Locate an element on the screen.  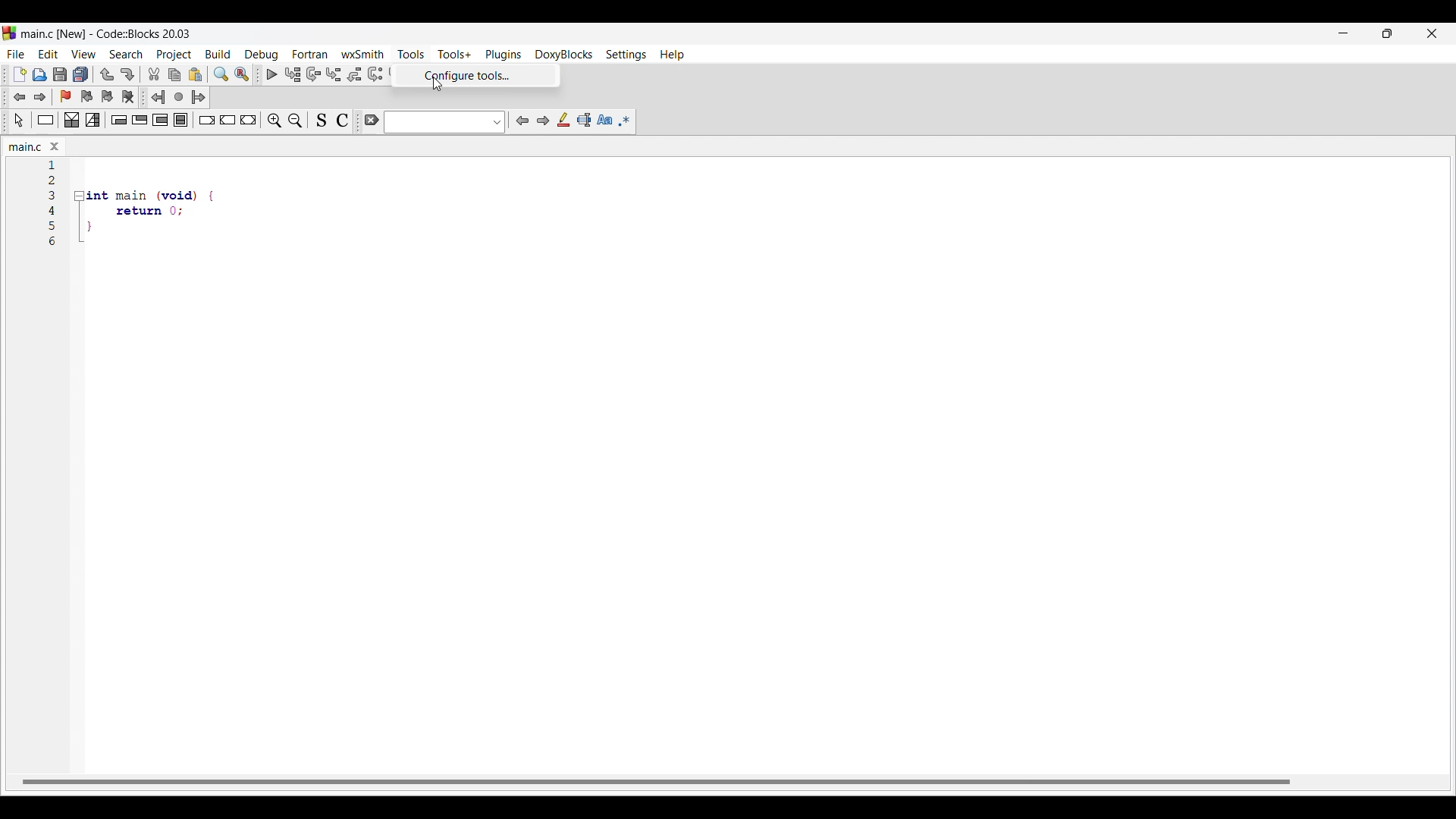
Zoom out is located at coordinates (295, 121).